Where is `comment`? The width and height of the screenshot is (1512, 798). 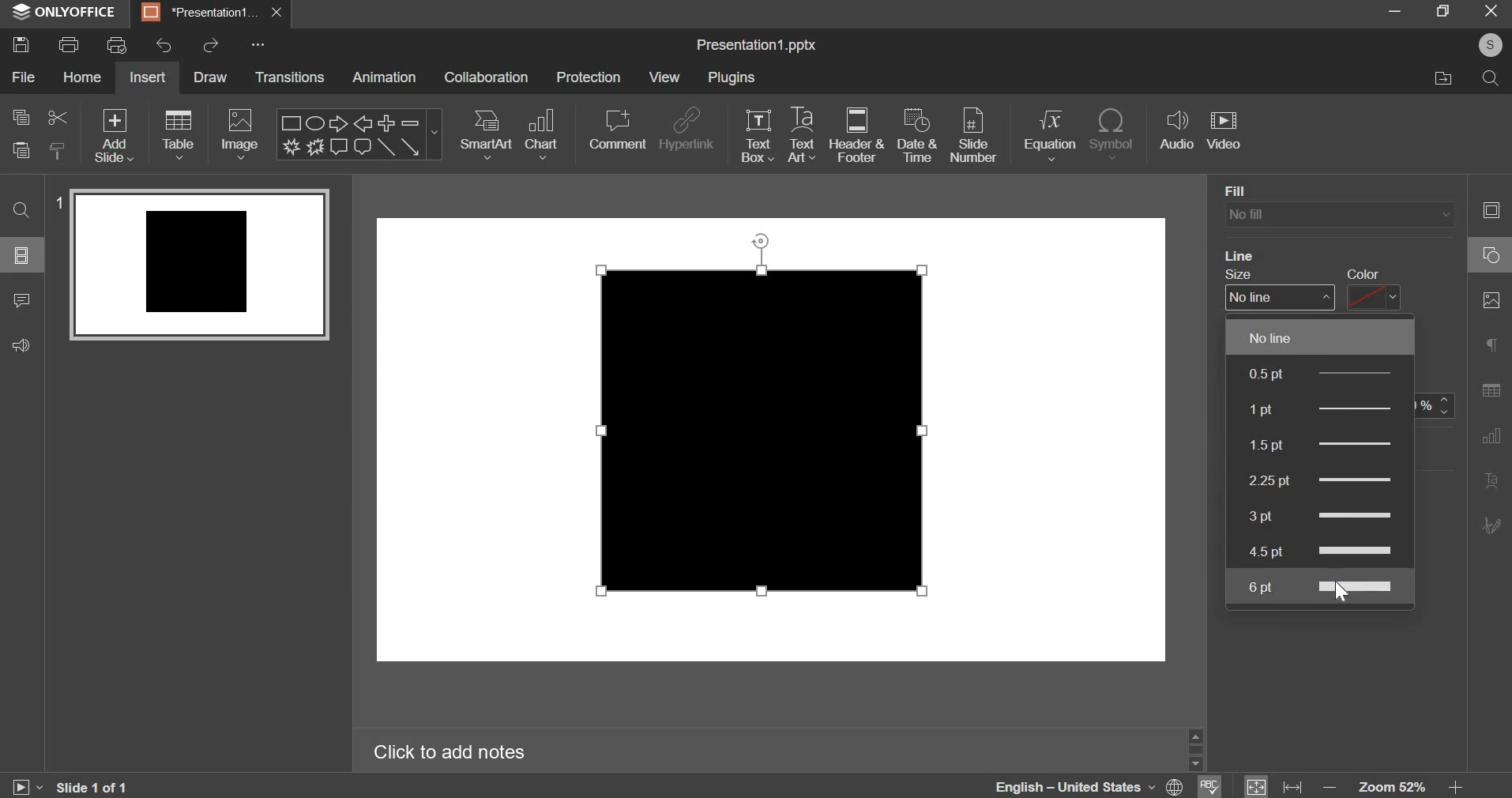 comment is located at coordinates (617, 130).